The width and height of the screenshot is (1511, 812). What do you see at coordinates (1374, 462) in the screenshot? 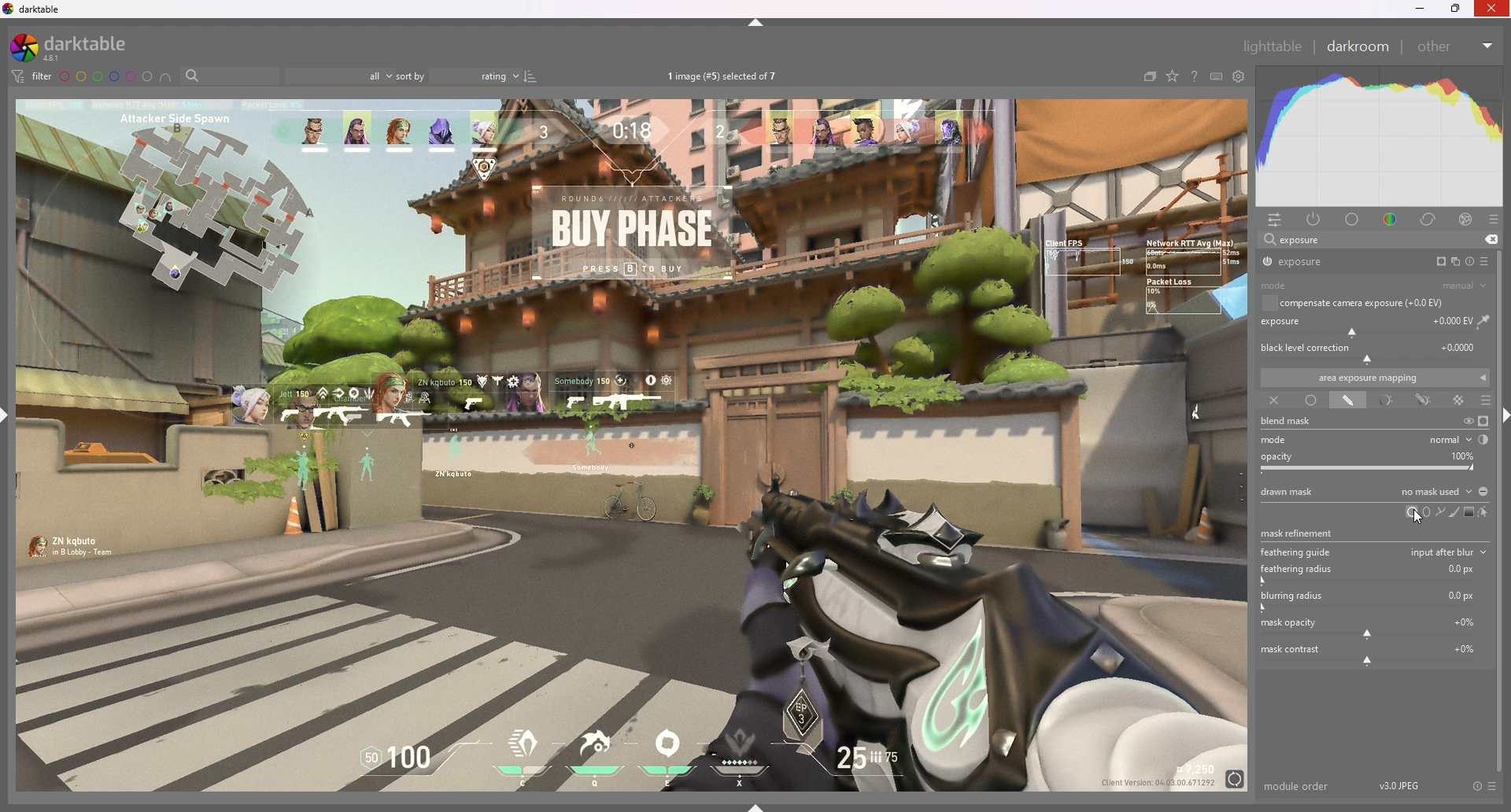
I see `opacity` at bounding box center [1374, 462].